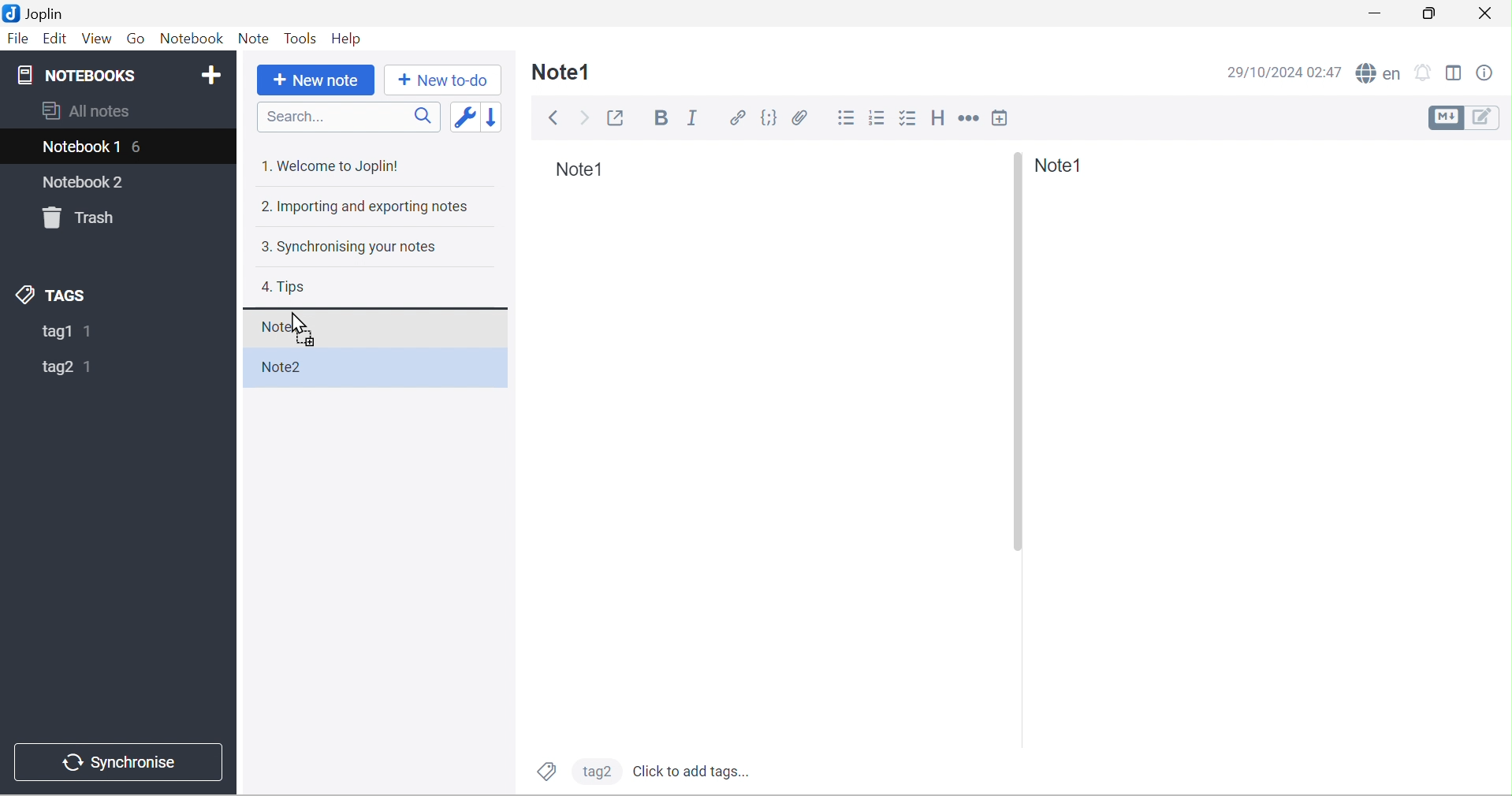 The image size is (1512, 796). Describe the element at coordinates (443, 82) in the screenshot. I see `+ New to do` at that location.